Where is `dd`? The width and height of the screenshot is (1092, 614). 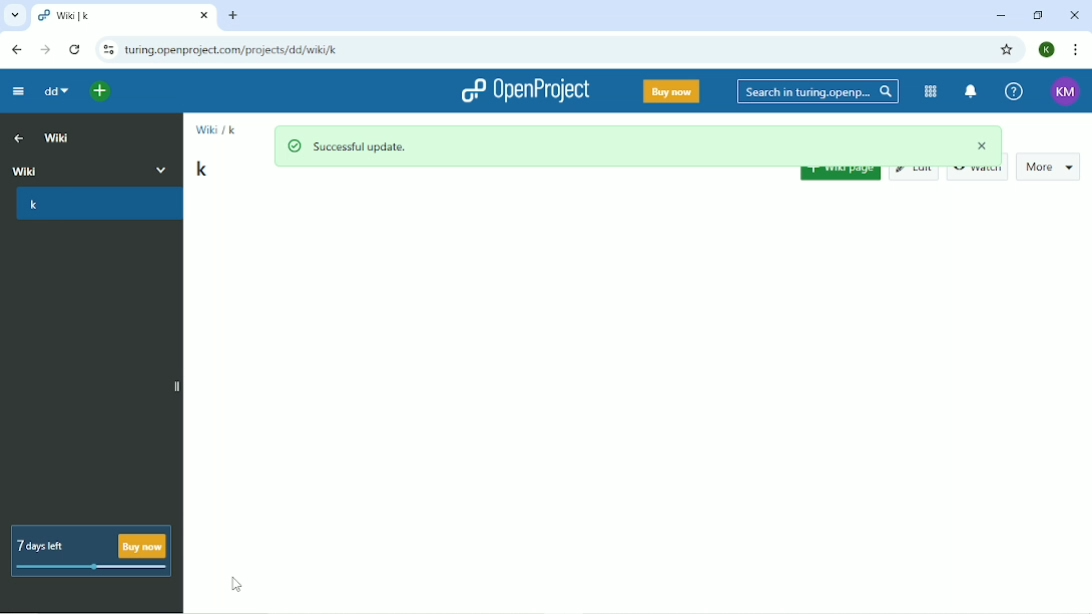
dd is located at coordinates (52, 92).